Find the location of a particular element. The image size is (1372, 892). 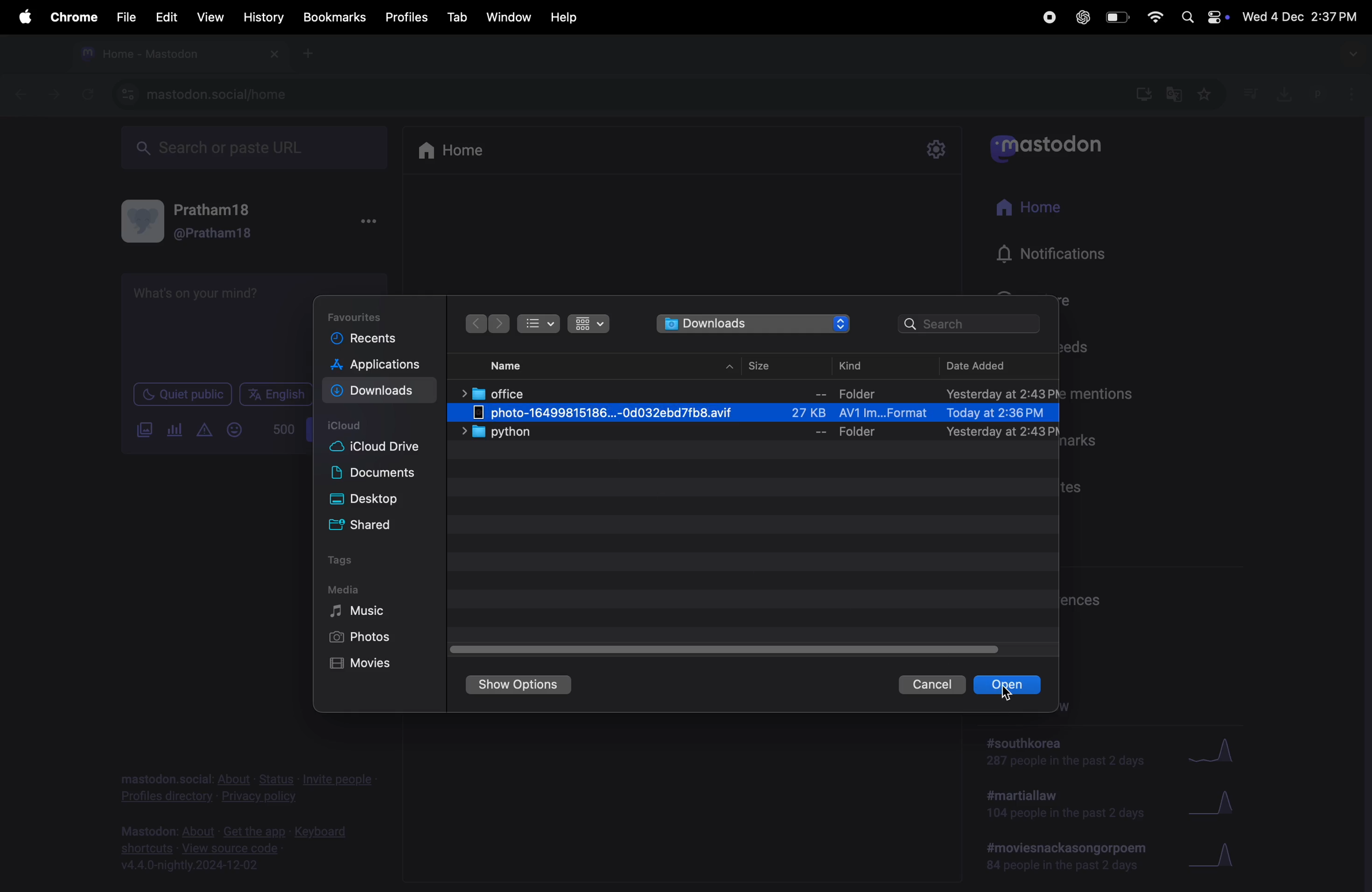

mastodon url is located at coordinates (208, 95).